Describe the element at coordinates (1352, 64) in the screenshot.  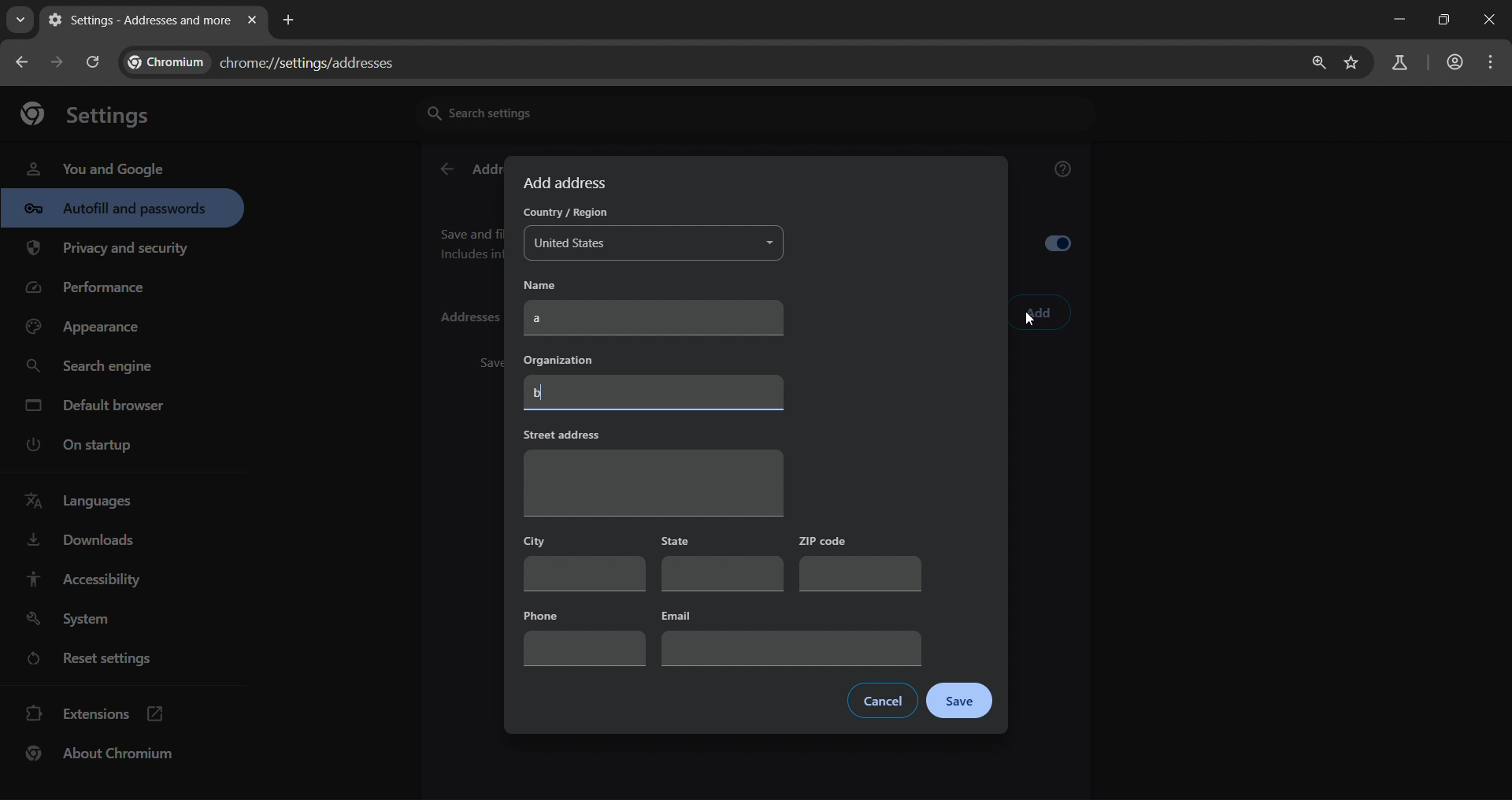
I see `bookmark page` at that location.